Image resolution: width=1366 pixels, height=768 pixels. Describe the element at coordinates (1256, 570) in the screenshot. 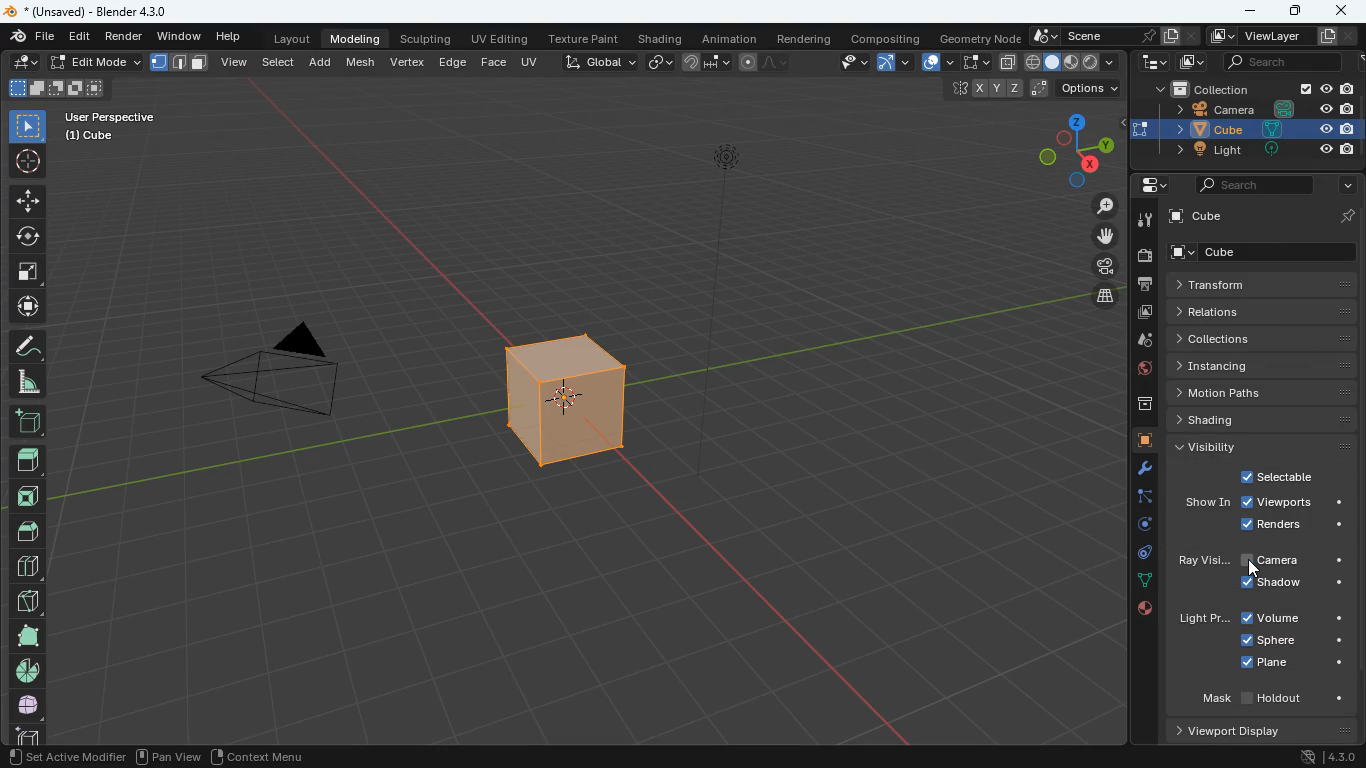

I see `cursor` at that location.